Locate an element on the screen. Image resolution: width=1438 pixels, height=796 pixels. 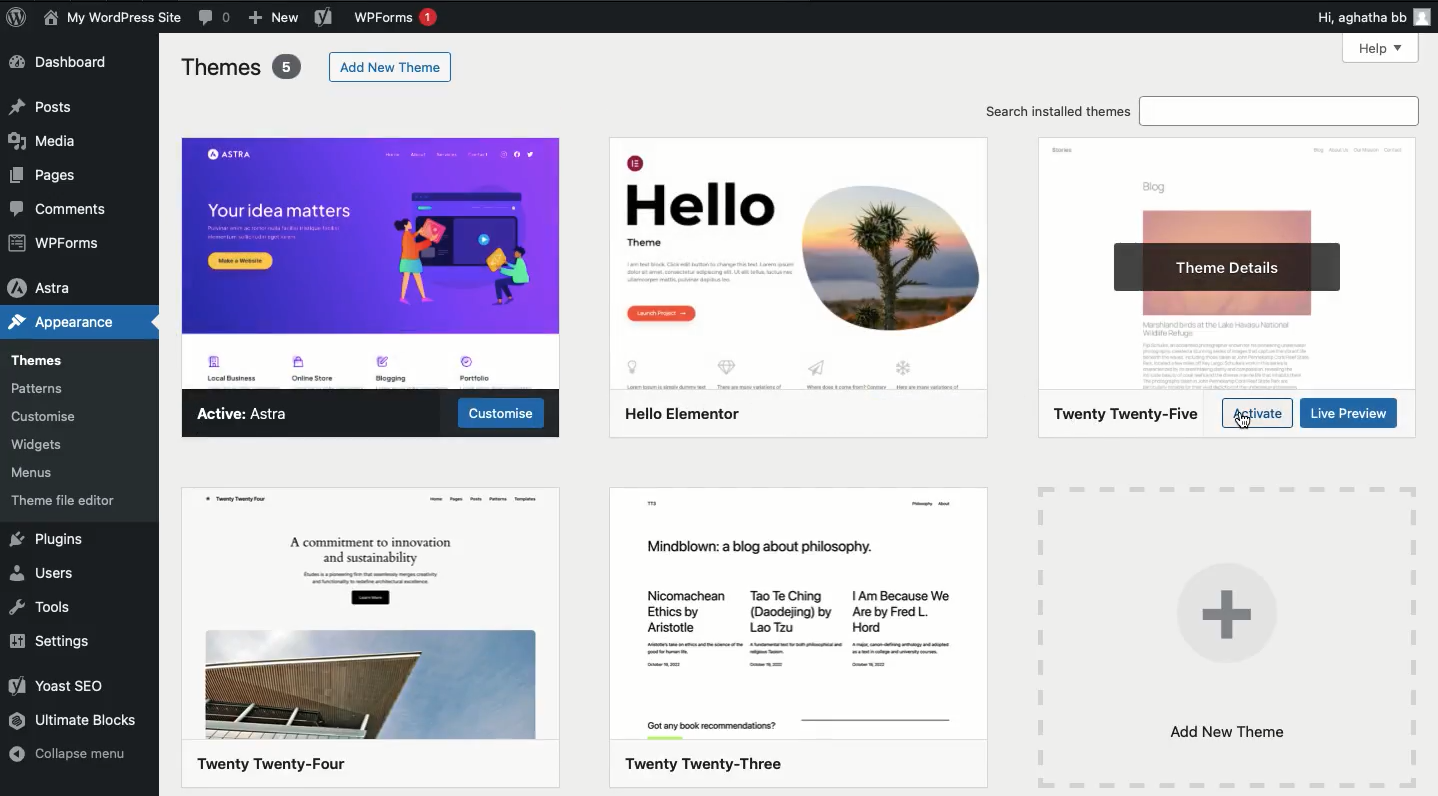
Appearance is located at coordinates (64, 324).